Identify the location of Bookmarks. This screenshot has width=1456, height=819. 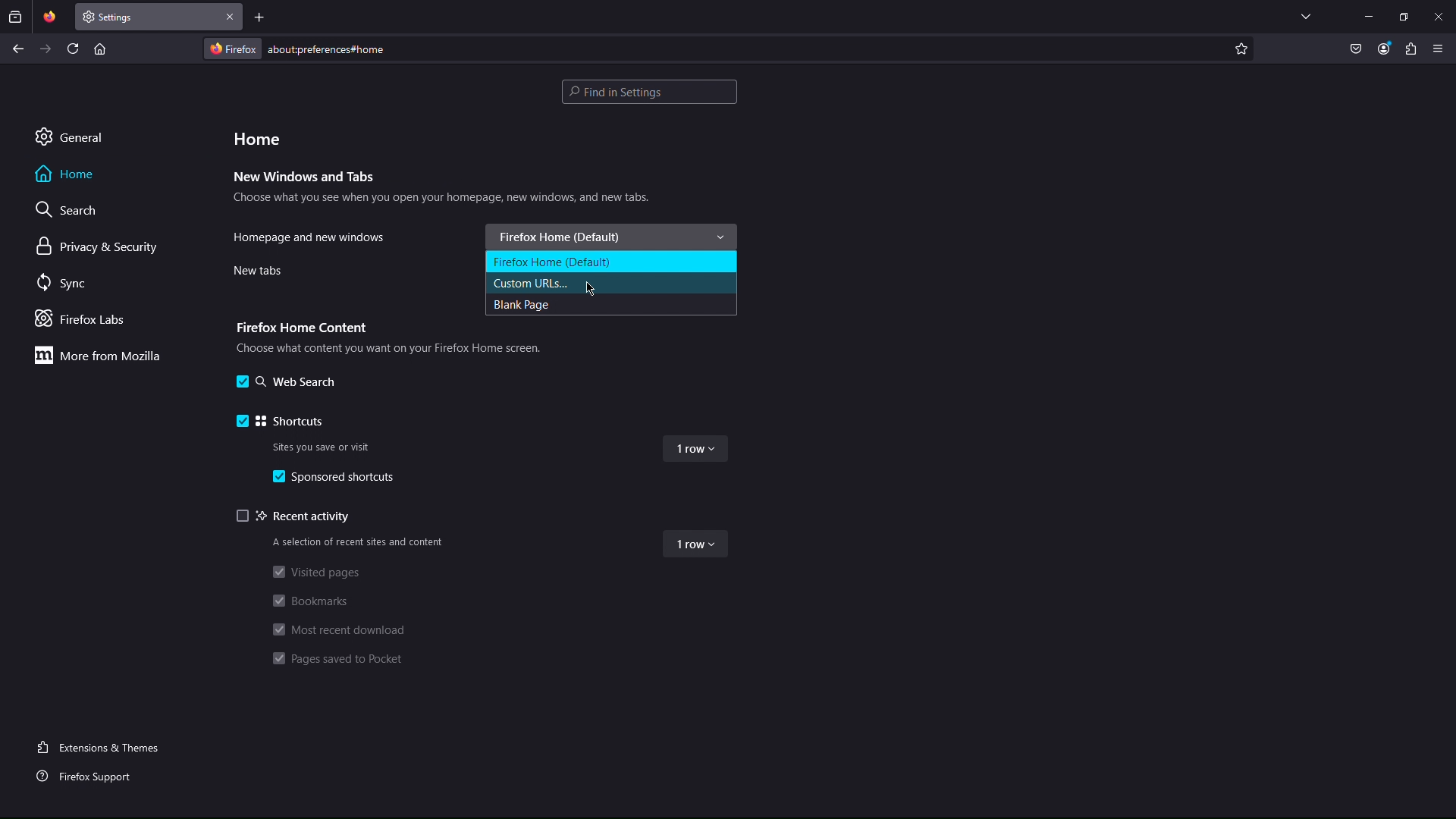
(314, 601).